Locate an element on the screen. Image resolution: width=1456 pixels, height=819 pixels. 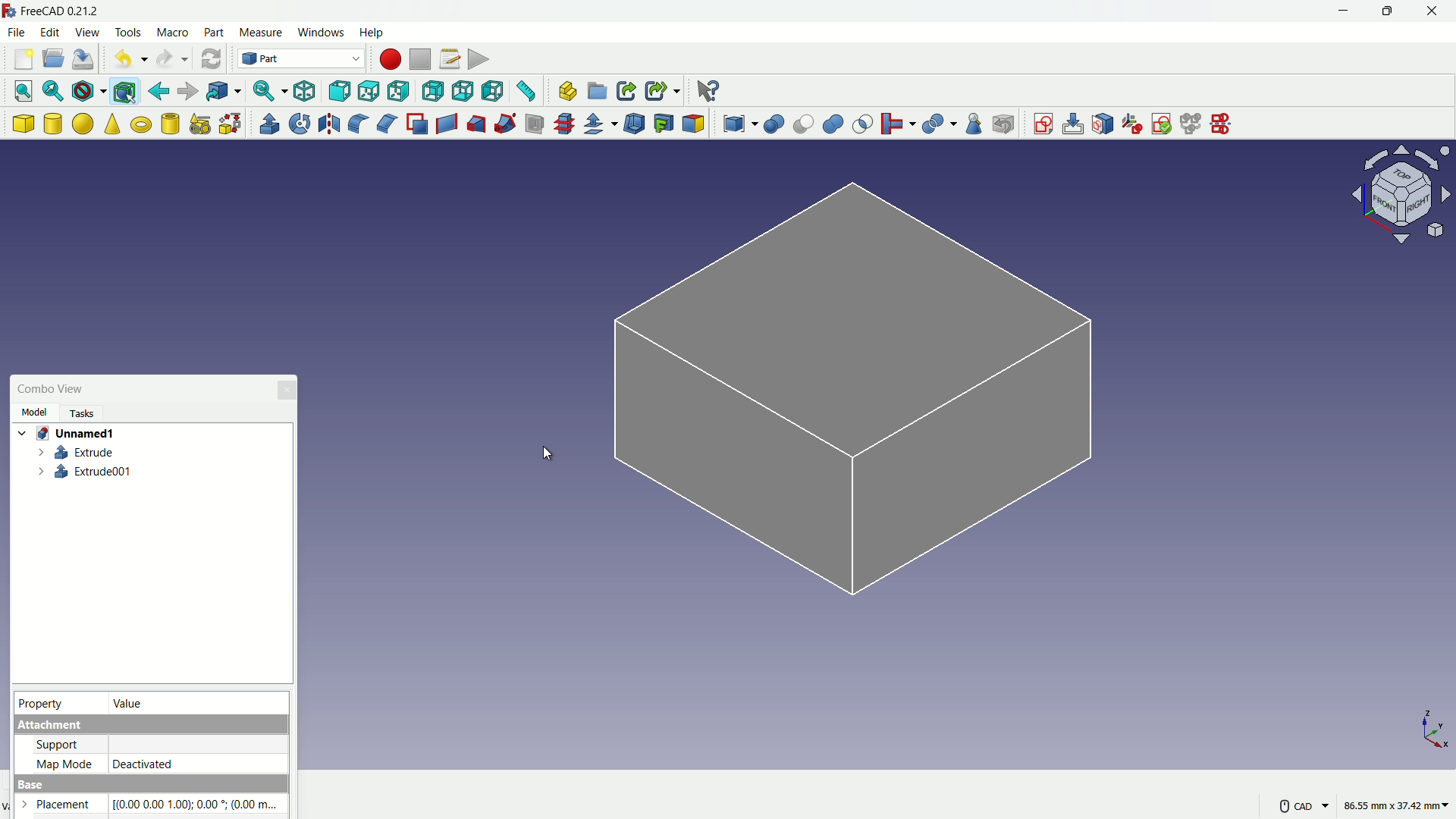
shape builder is located at coordinates (231, 124).